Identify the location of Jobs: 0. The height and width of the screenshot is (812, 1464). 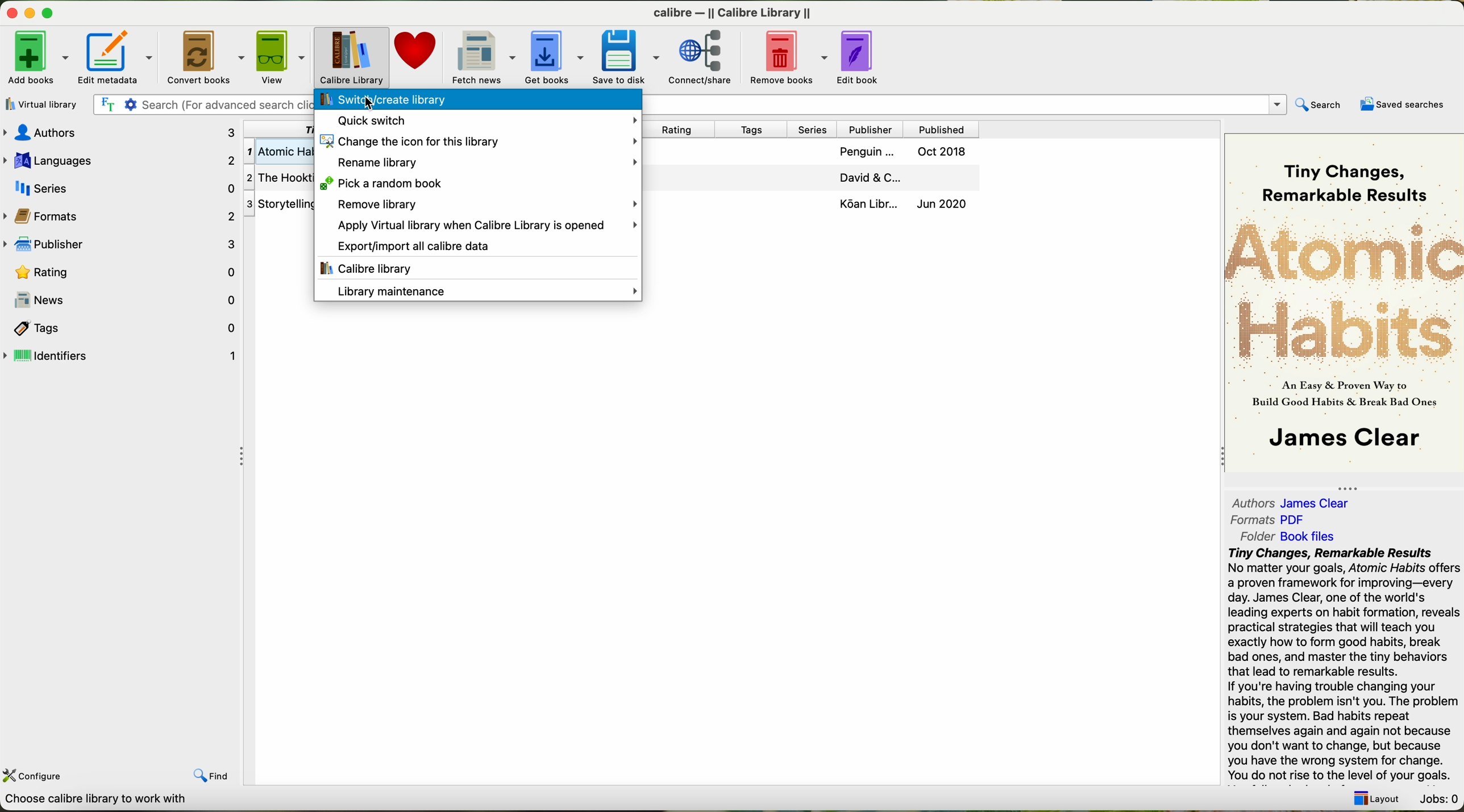
(1438, 798).